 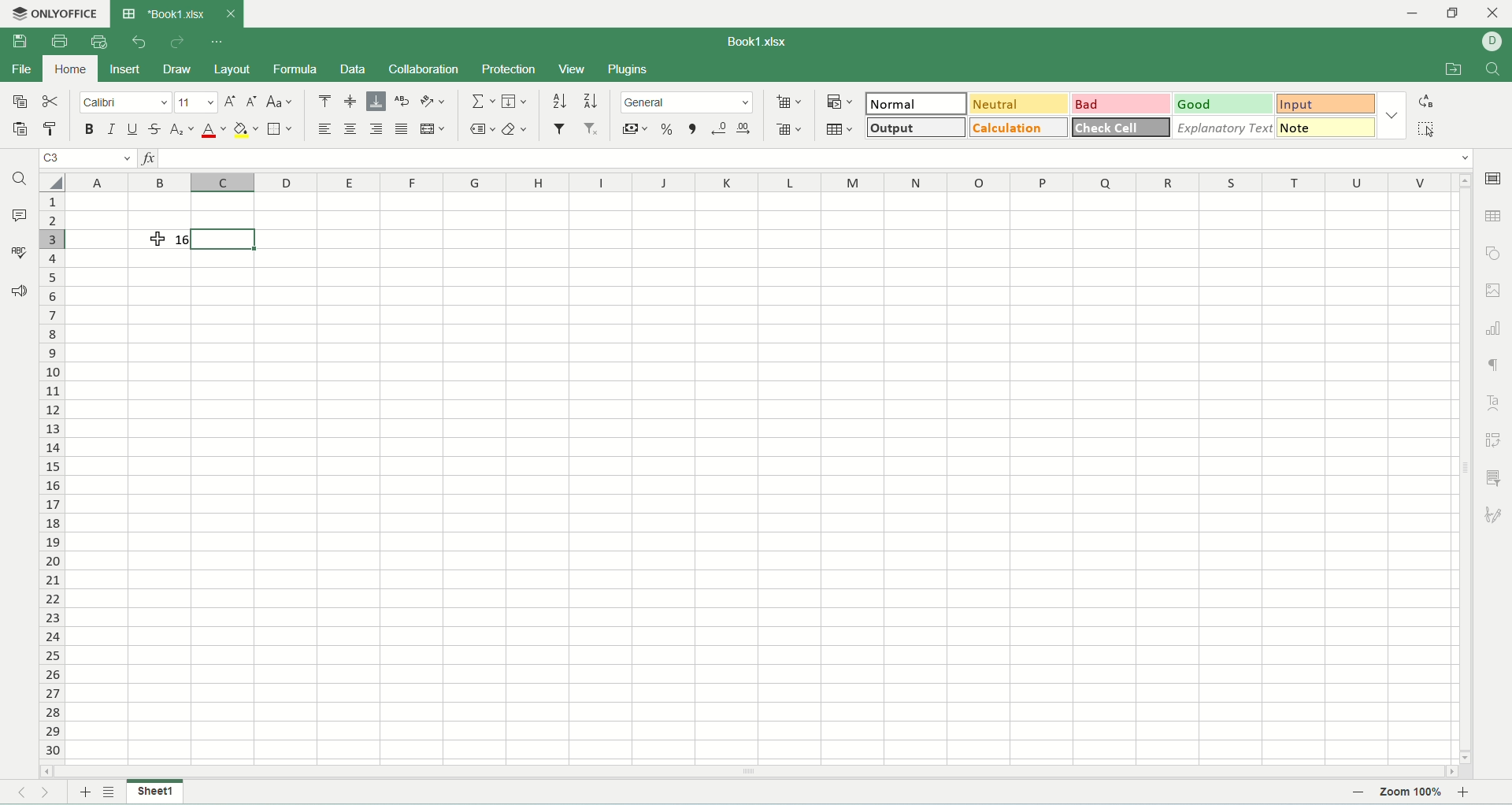 What do you see at coordinates (353, 69) in the screenshot?
I see `data` at bounding box center [353, 69].